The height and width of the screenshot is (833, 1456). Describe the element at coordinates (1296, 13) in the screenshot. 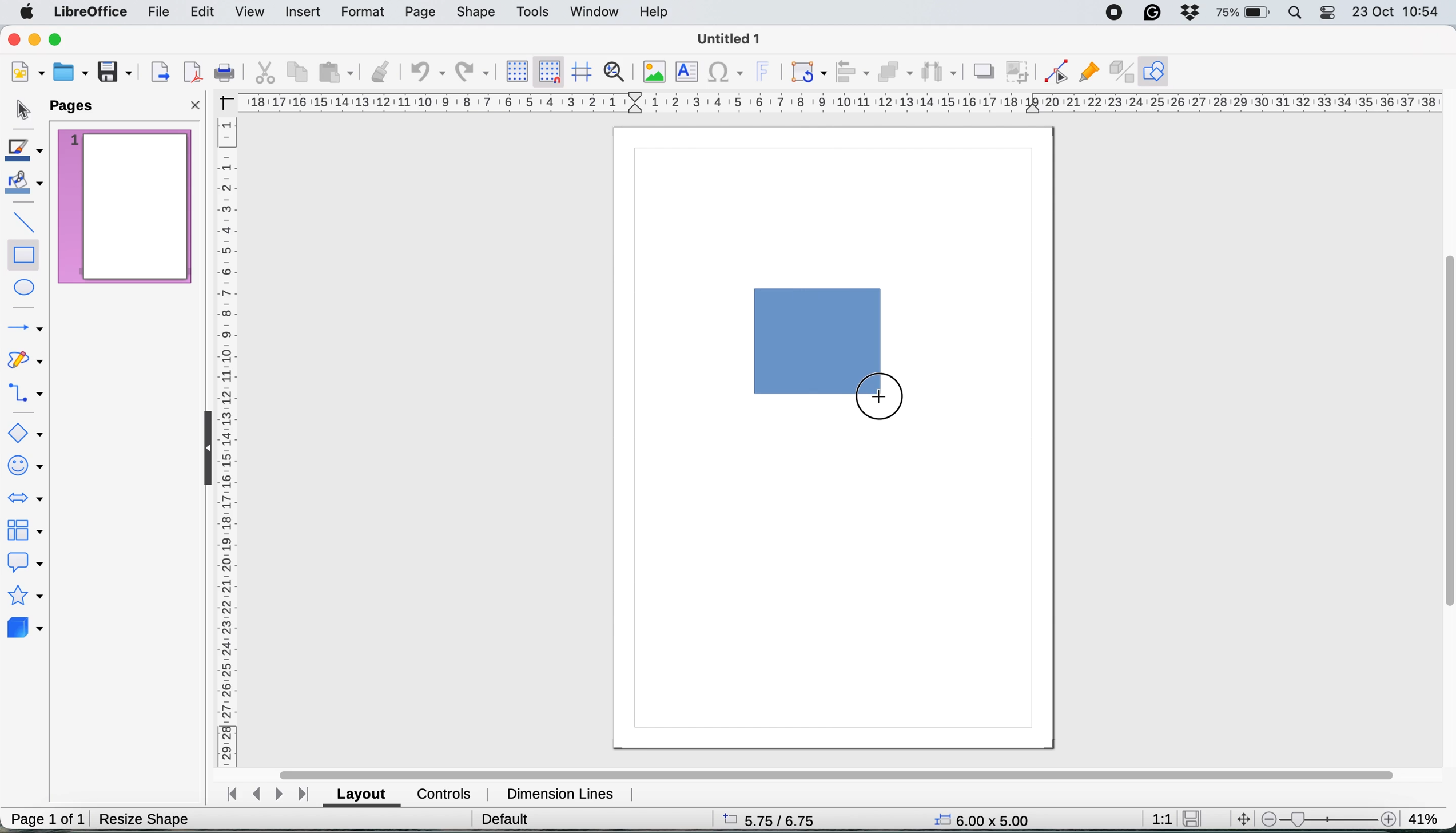

I see `spotlight search` at that location.